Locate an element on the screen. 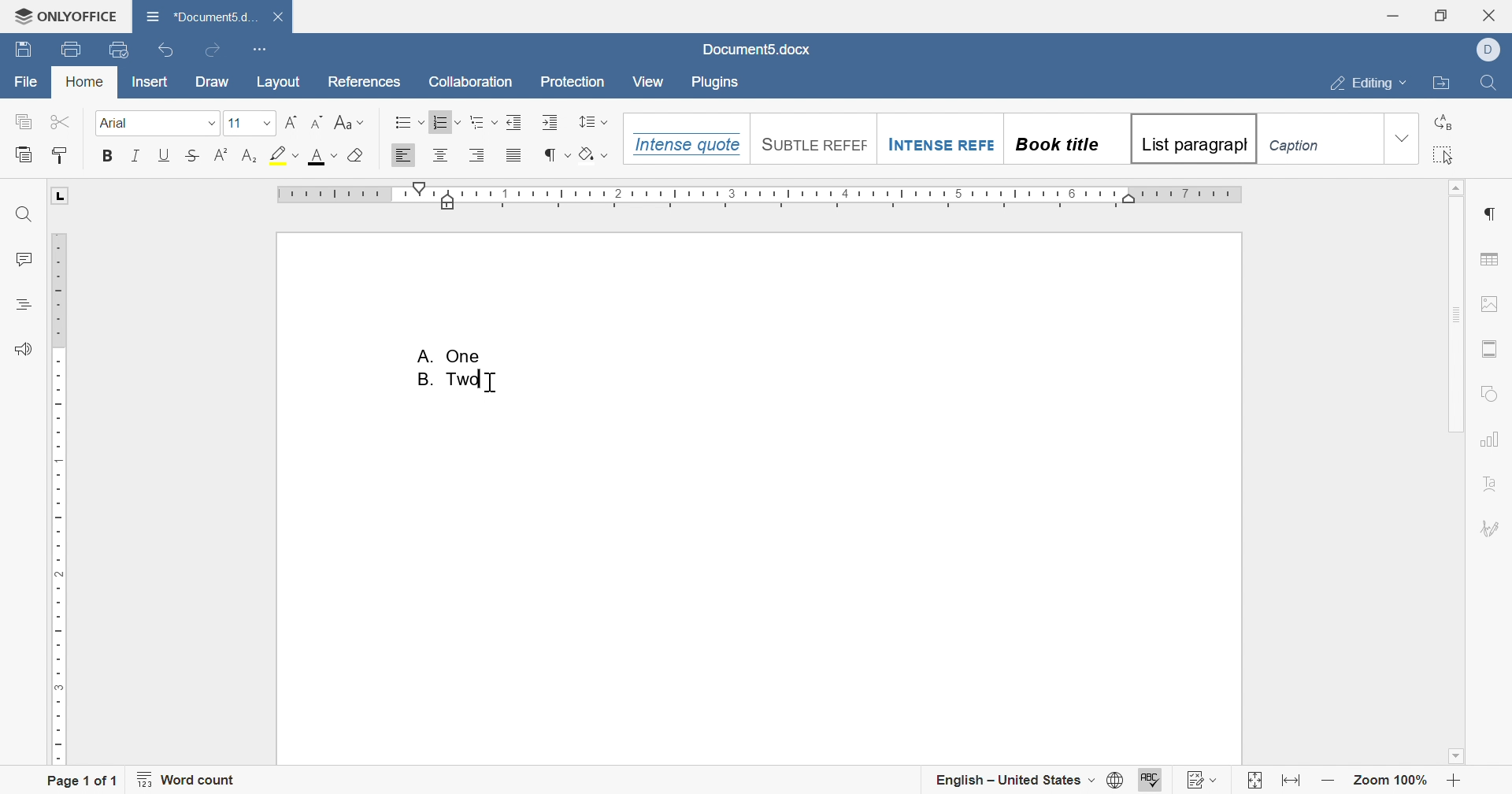  replace is located at coordinates (1444, 122).